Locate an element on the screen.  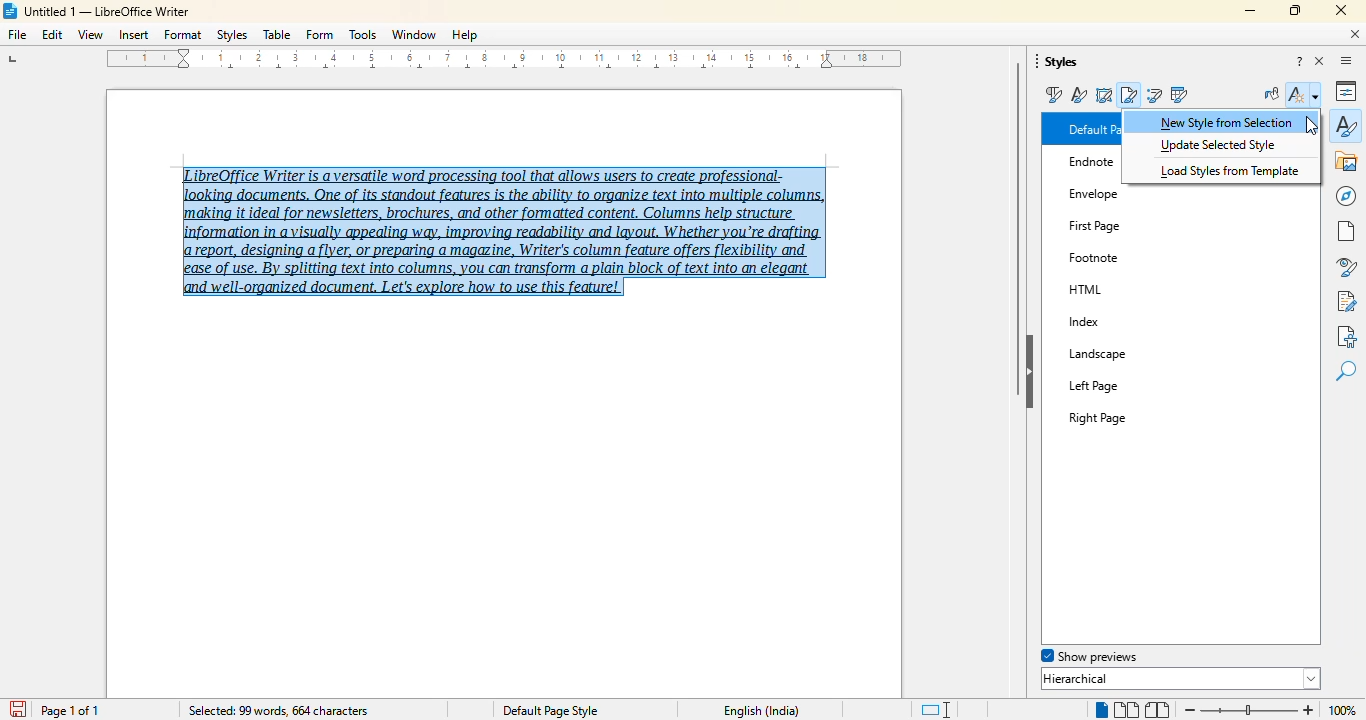
help is located at coordinates (465, 35).